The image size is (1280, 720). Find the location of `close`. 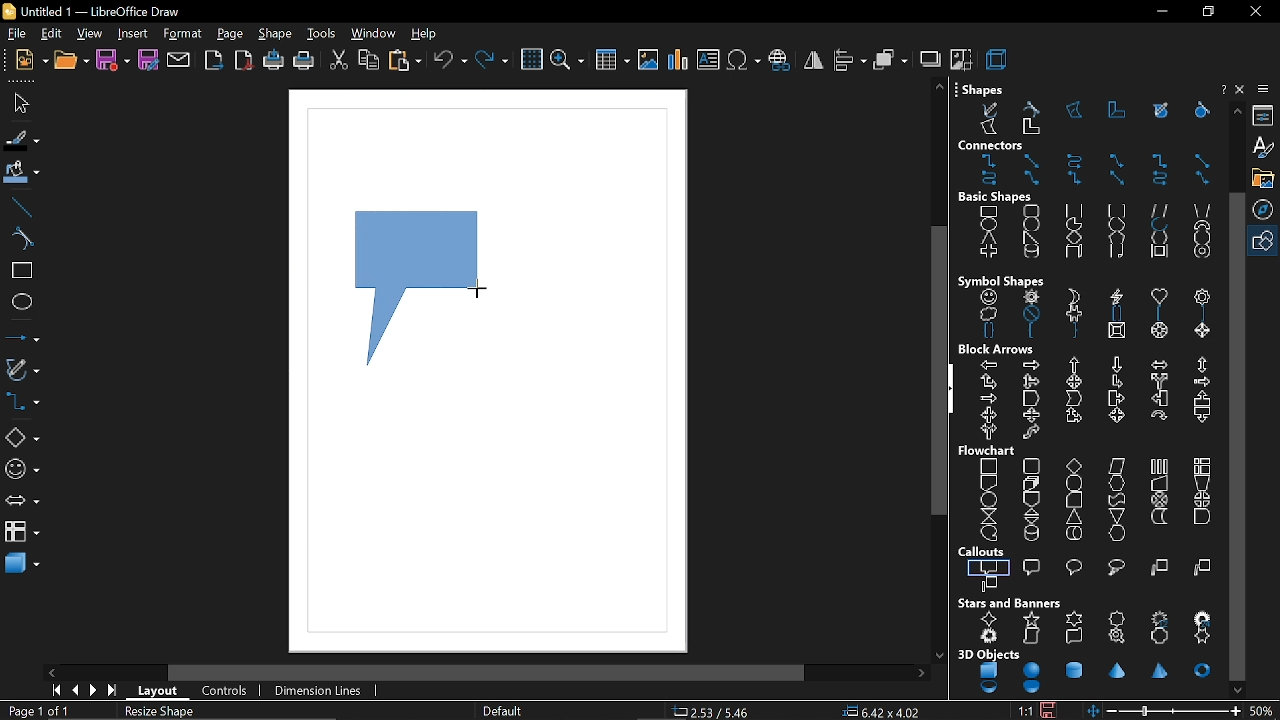

close is located at coordinates (1255, 11).